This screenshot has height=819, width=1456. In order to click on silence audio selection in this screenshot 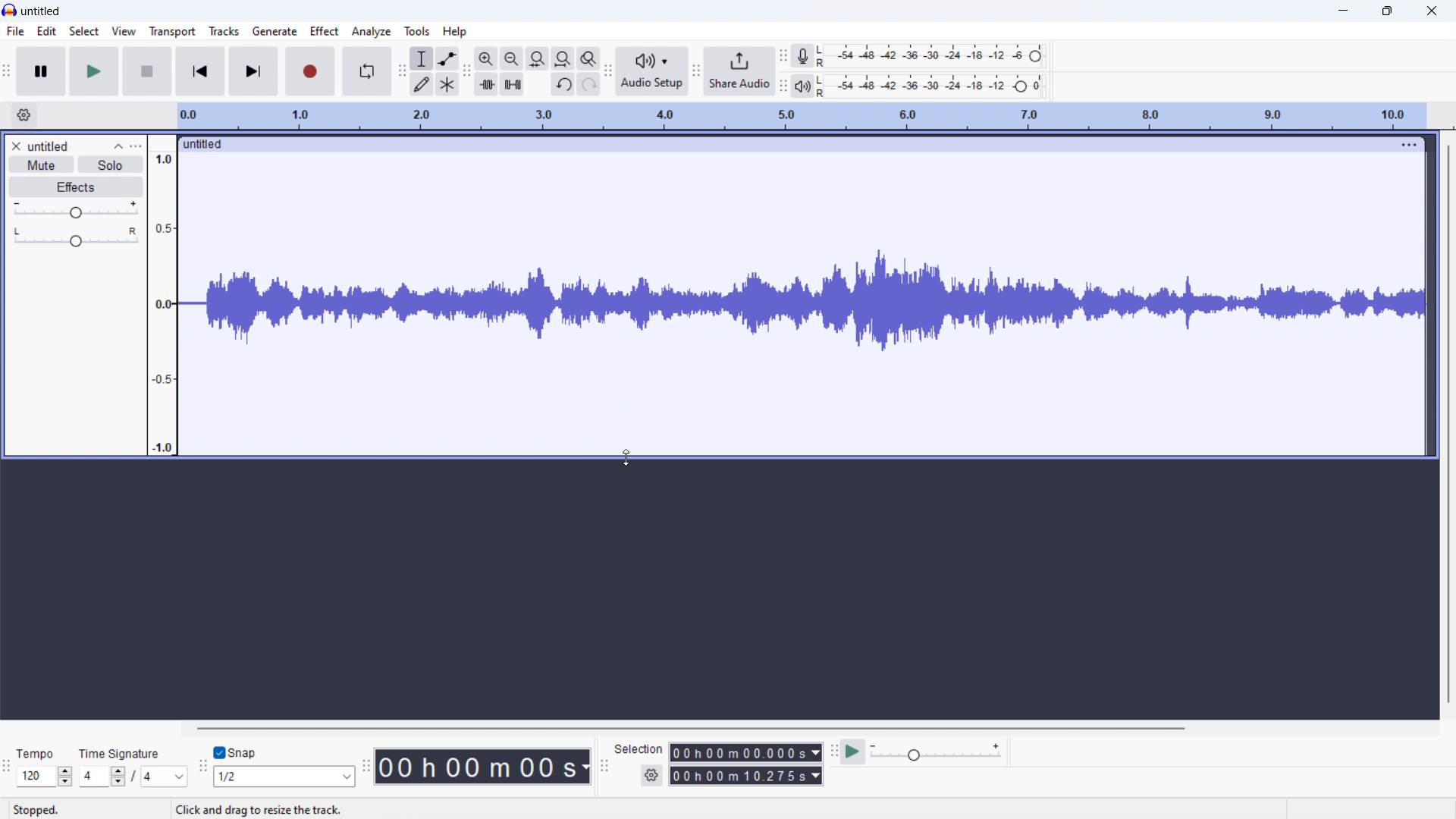, I will do `click(512, 84)`.